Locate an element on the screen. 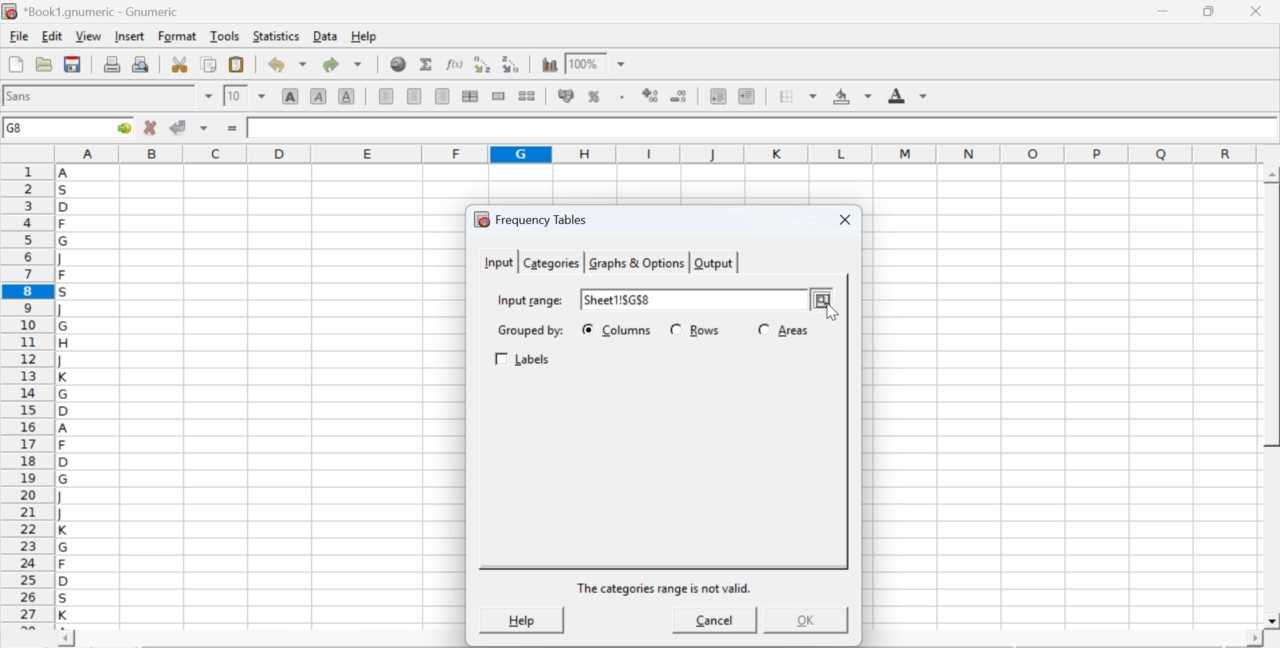 The image size is (1280, 648). output is located at coordinates (714, 263).